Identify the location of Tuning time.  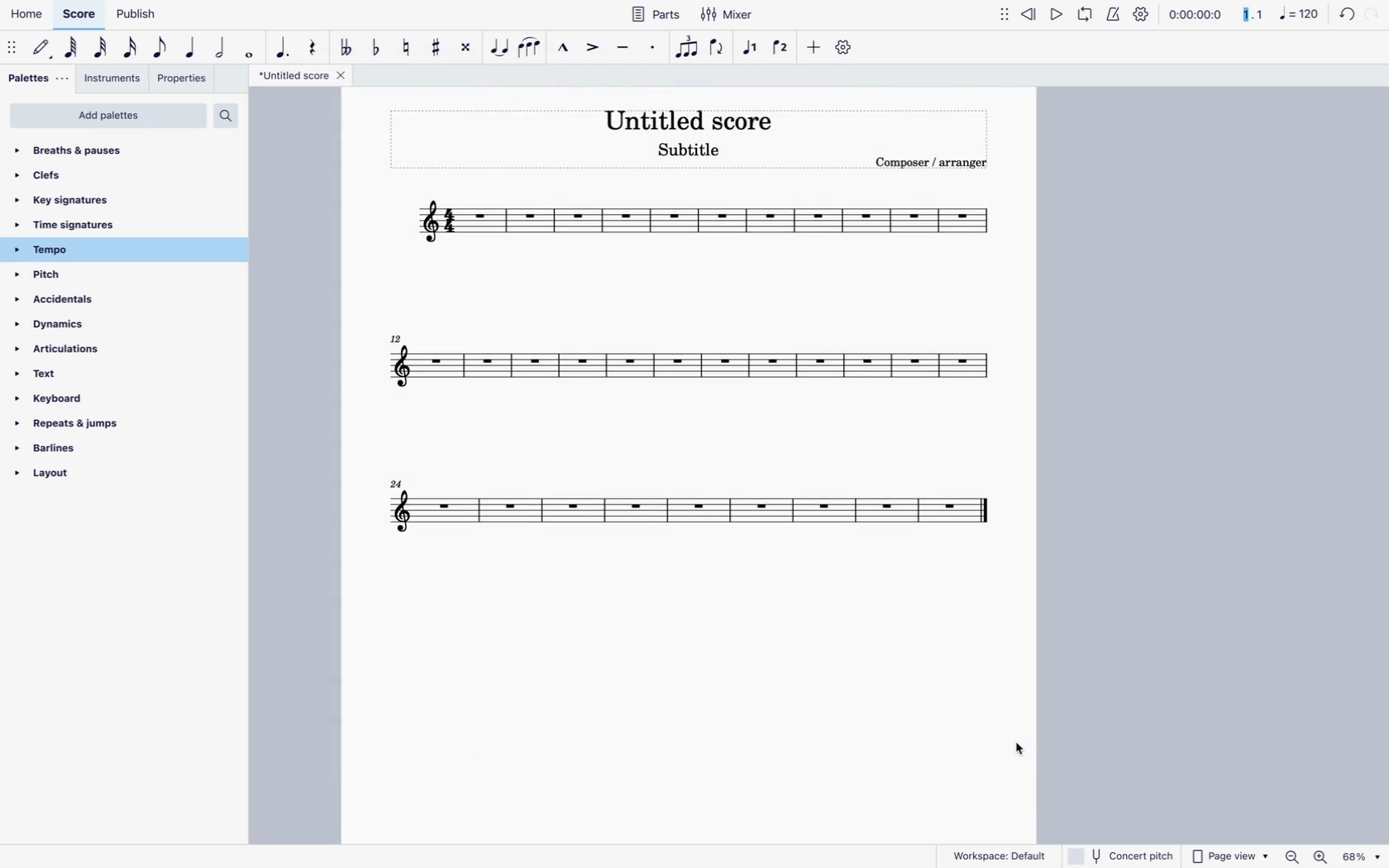
(1239, 16).